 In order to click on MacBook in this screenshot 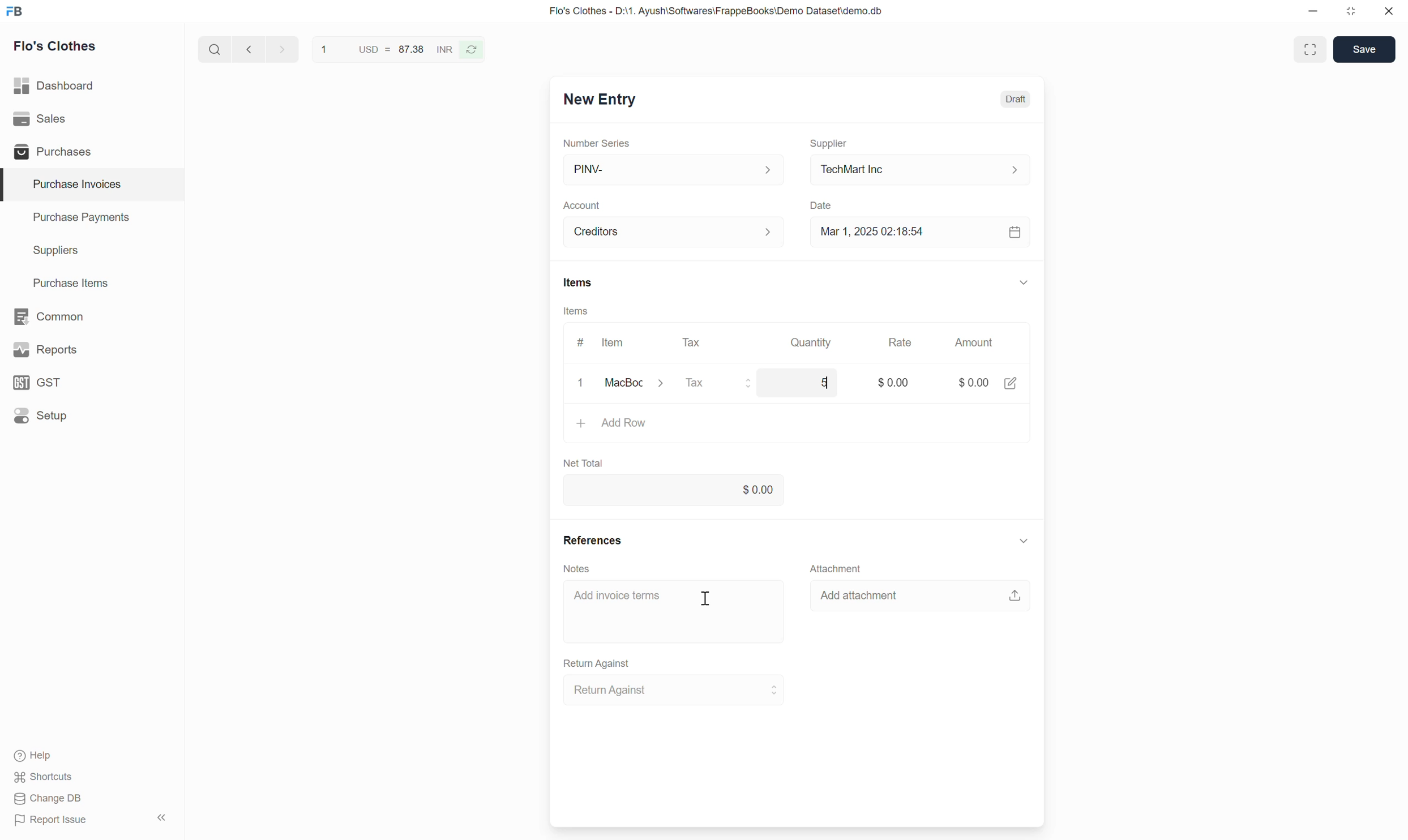, I will do `click(640, 383)`.